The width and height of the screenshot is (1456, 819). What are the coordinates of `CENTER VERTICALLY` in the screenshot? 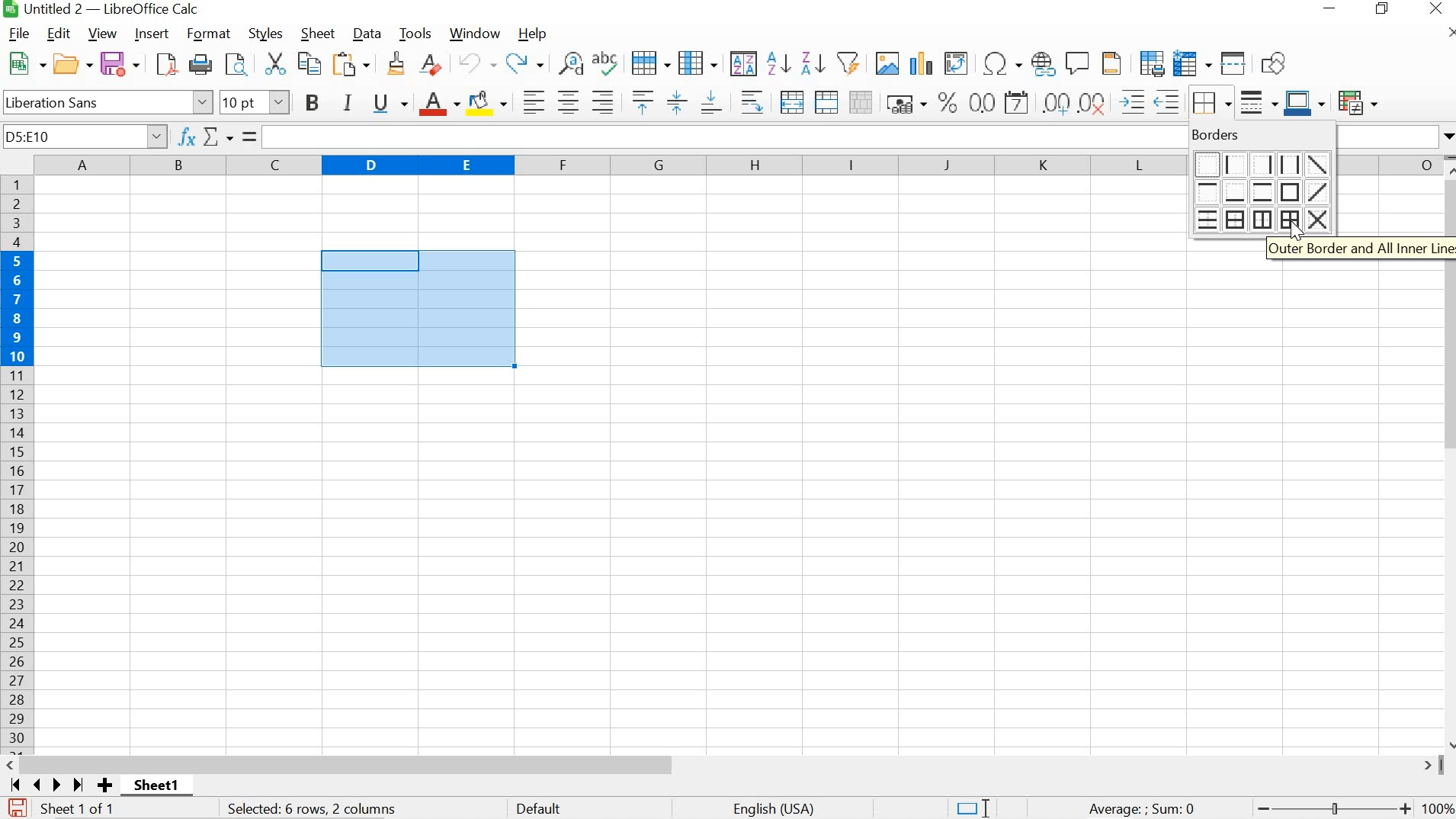 It's located at (676, 101).